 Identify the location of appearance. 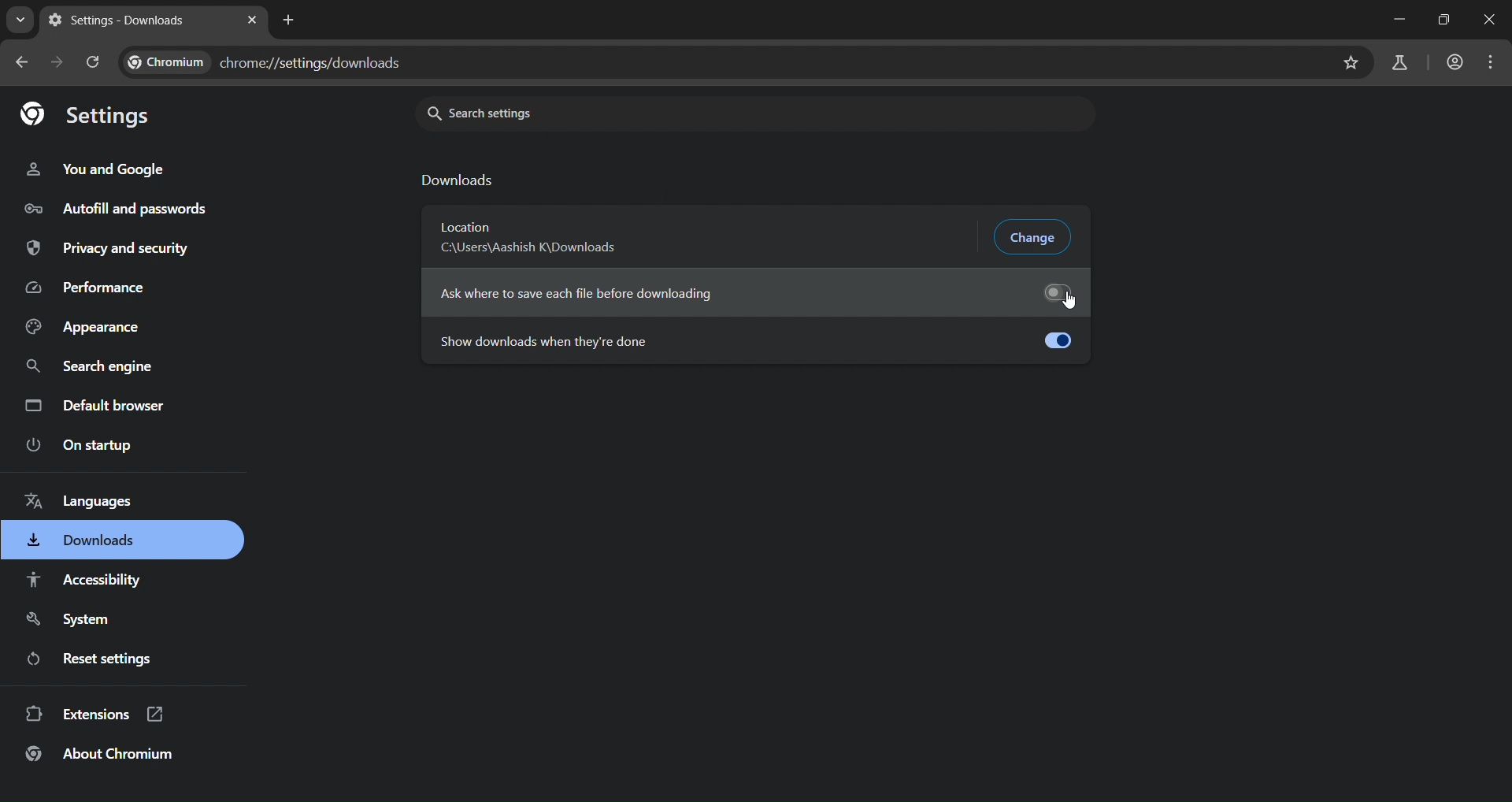
(84, 328).